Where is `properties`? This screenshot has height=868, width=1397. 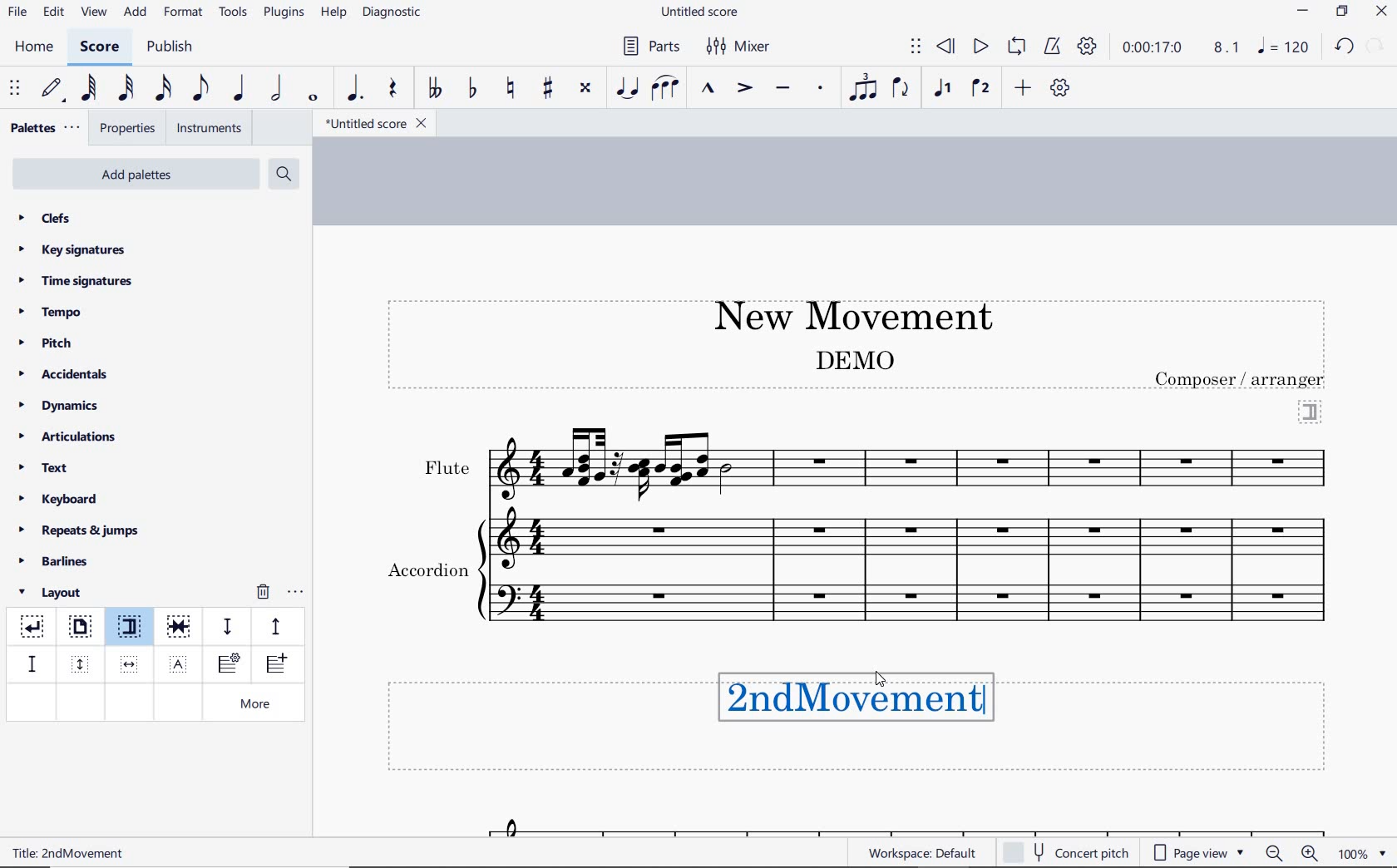 properties is located at coordinates (129, 130).